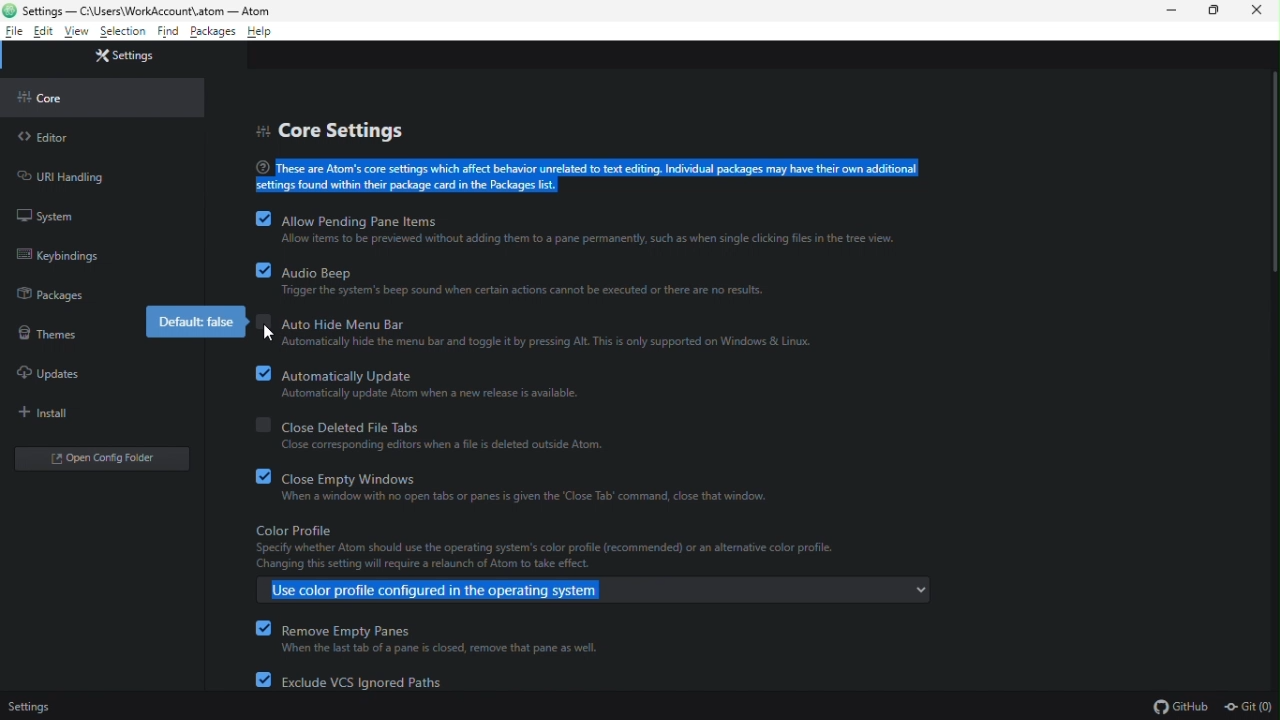 This screenshot has height=720, width=1280. I want to click on find, so click(170, 30).